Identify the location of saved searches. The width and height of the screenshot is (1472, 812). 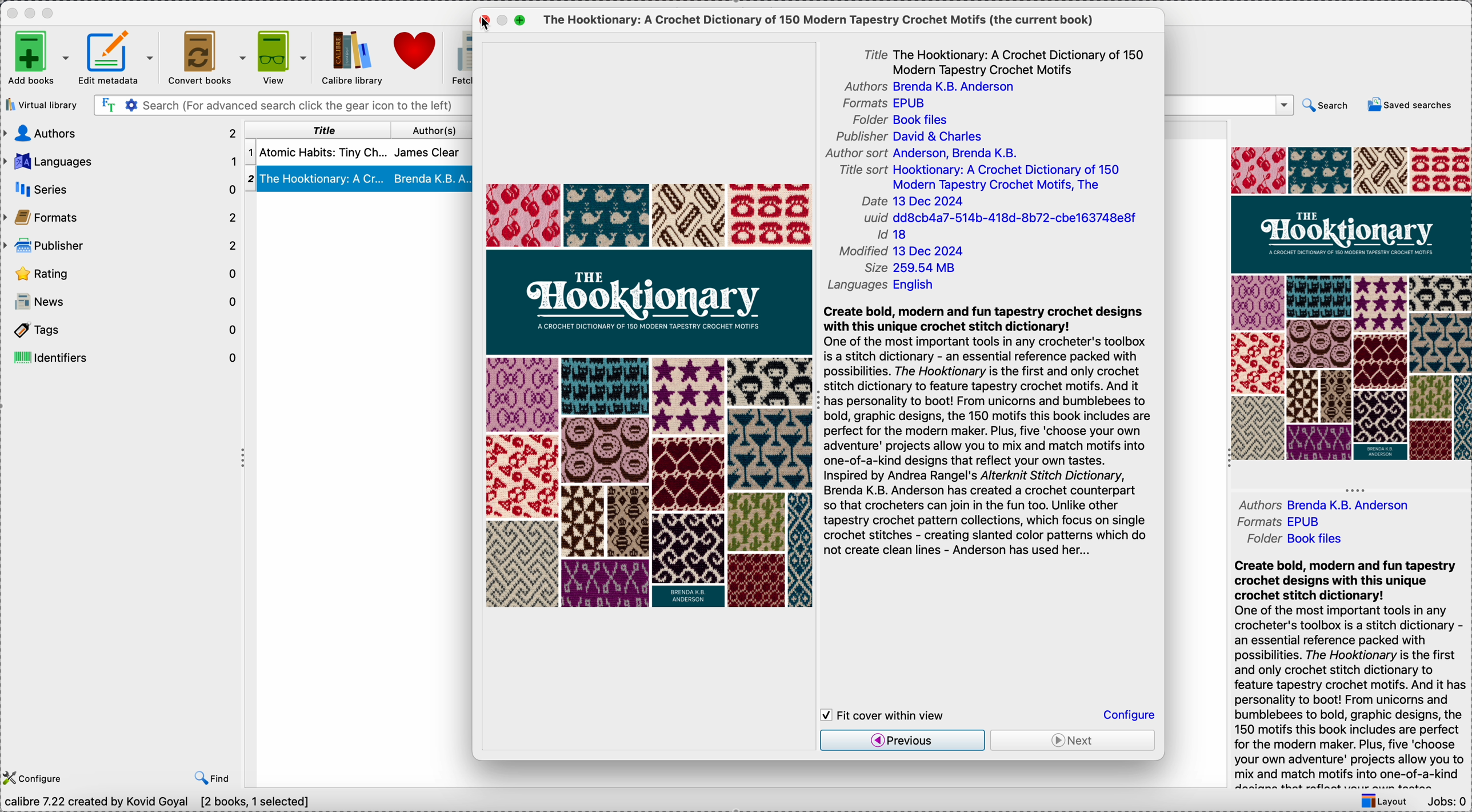
(1407, 106).